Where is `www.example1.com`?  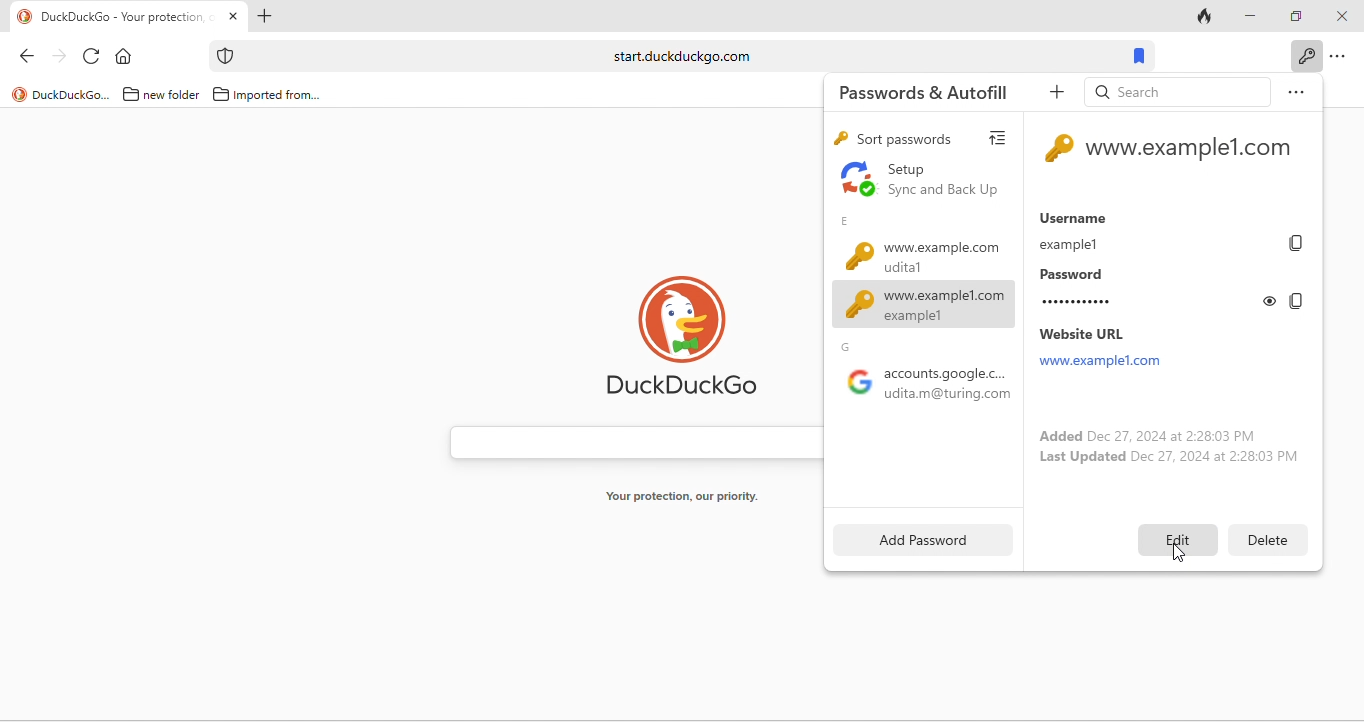 www.example1.com is located at coordinates (1191, 148).